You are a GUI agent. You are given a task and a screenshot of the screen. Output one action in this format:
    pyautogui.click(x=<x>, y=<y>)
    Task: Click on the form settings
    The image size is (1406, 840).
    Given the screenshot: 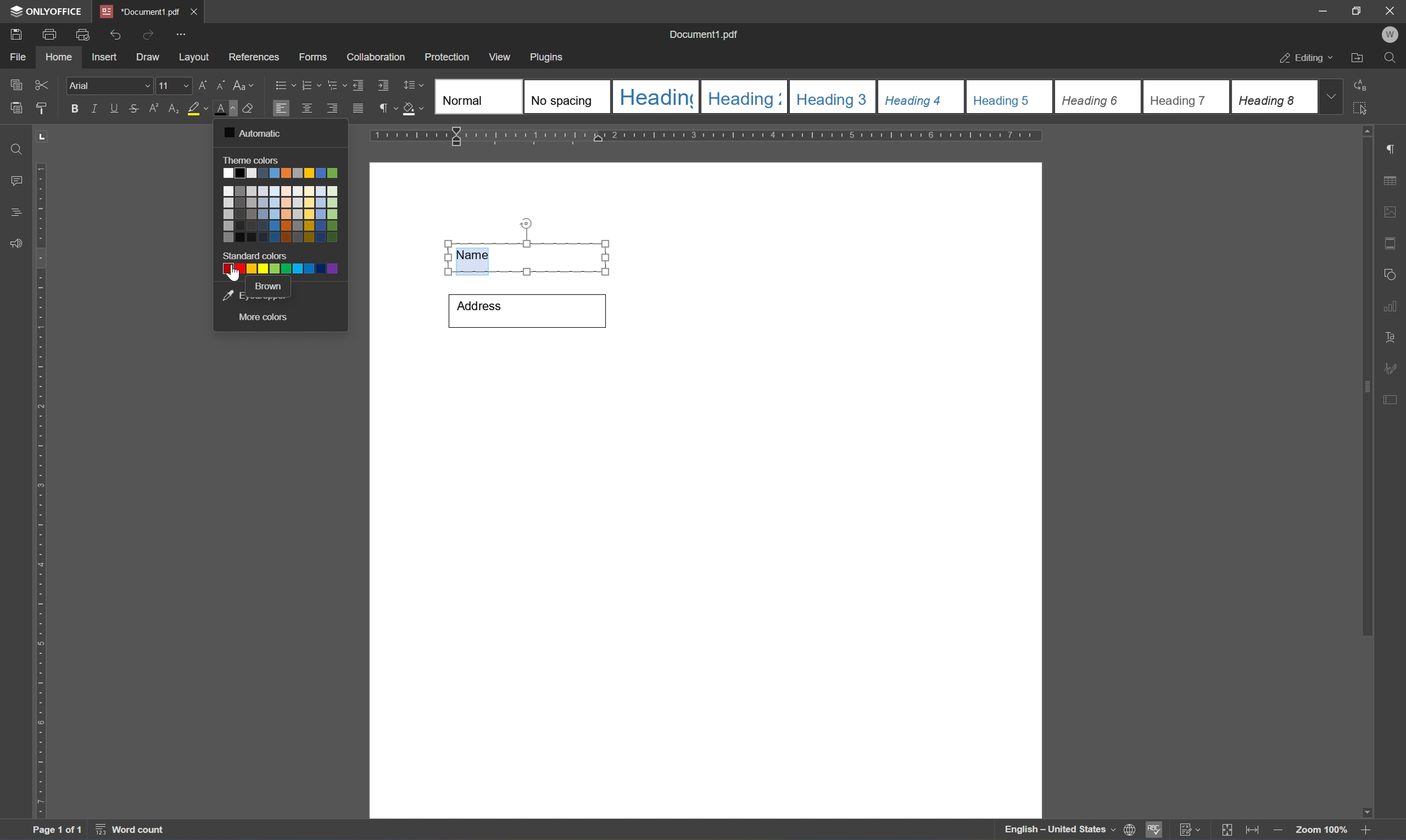 What is the action you would take?
    pyautogui.click(x=1393, y=399)
    